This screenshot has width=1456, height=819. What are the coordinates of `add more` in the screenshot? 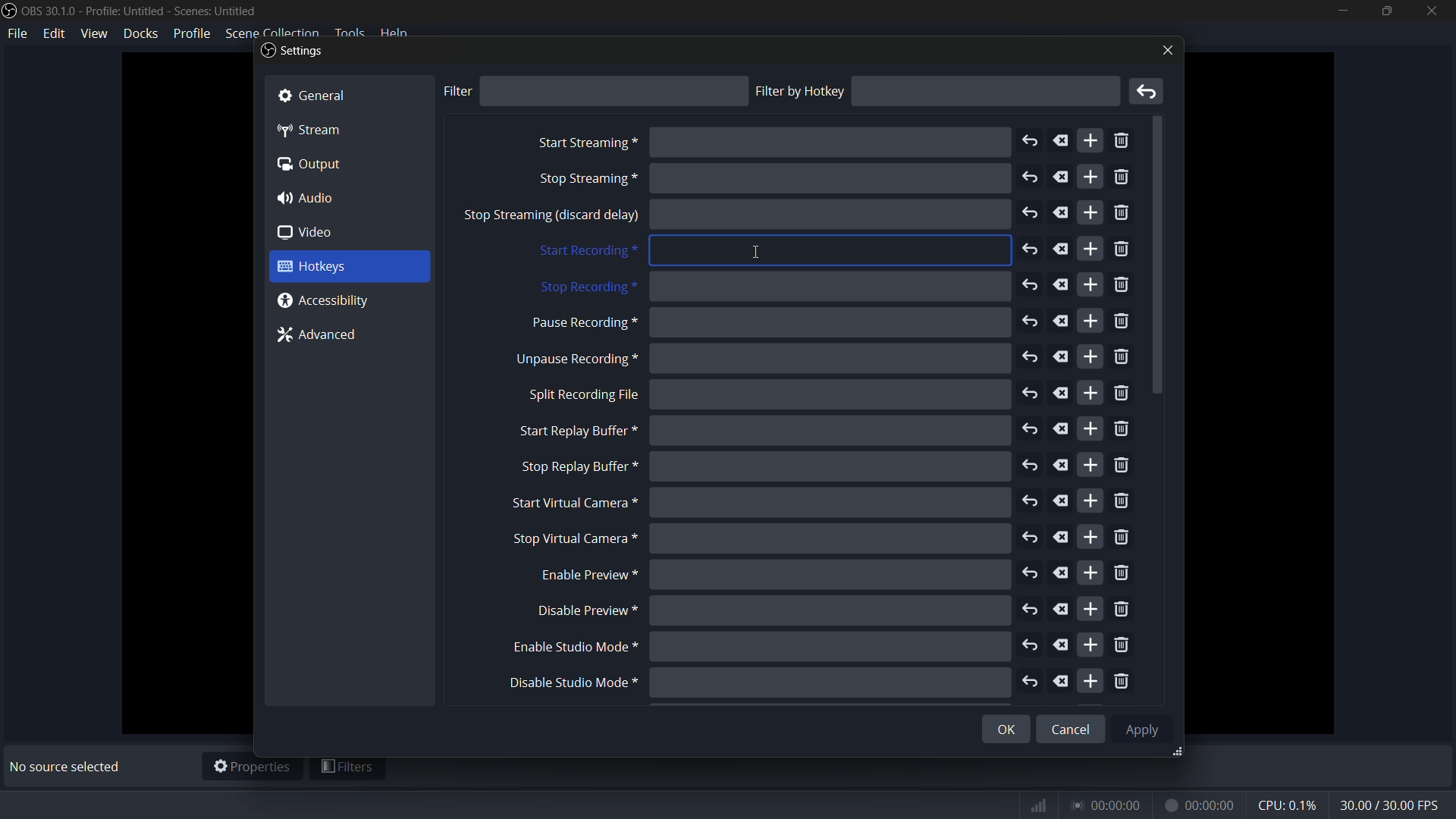 It's located at (1090, 322).